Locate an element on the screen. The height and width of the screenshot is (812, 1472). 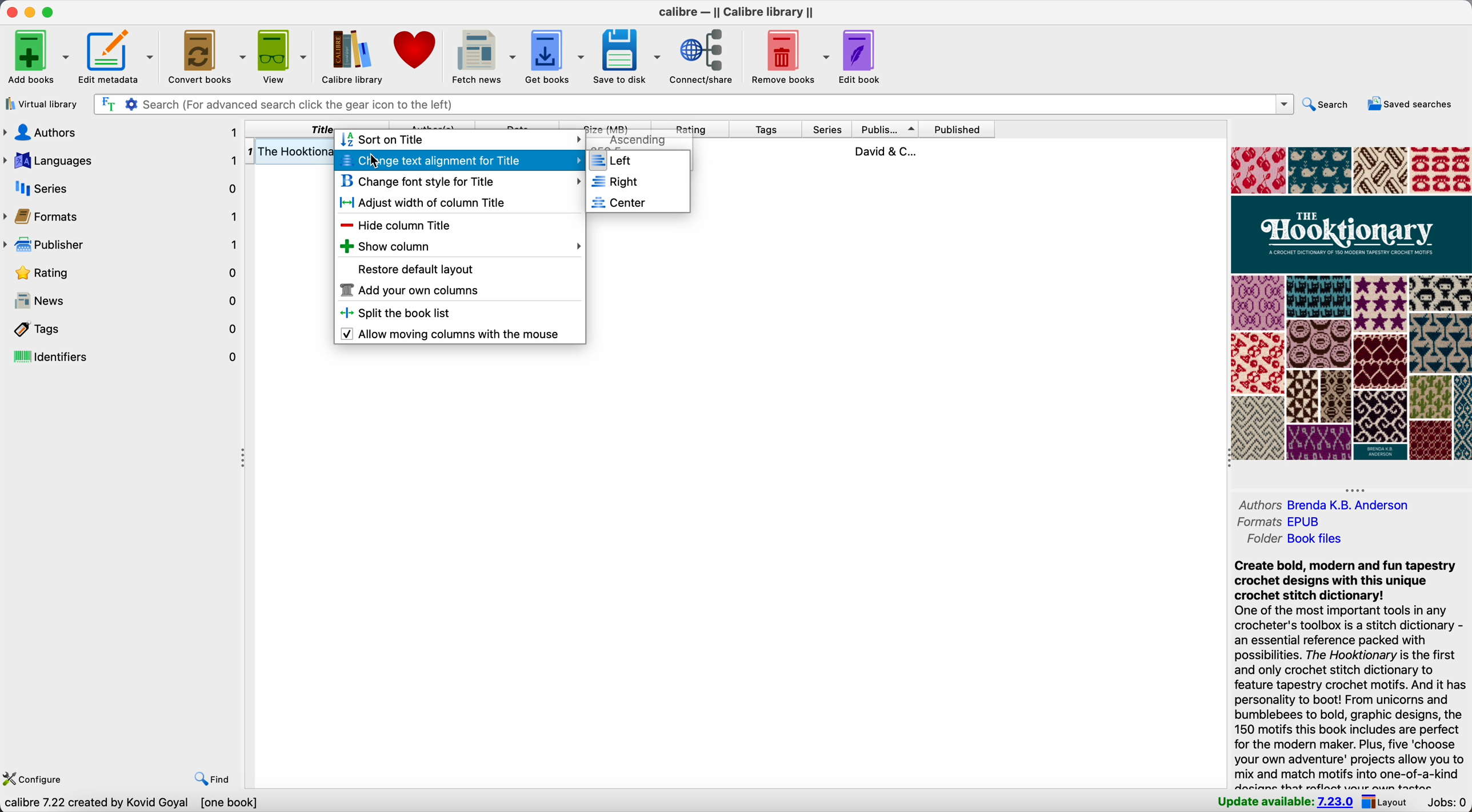
donate is located at coordinates (415, 52).